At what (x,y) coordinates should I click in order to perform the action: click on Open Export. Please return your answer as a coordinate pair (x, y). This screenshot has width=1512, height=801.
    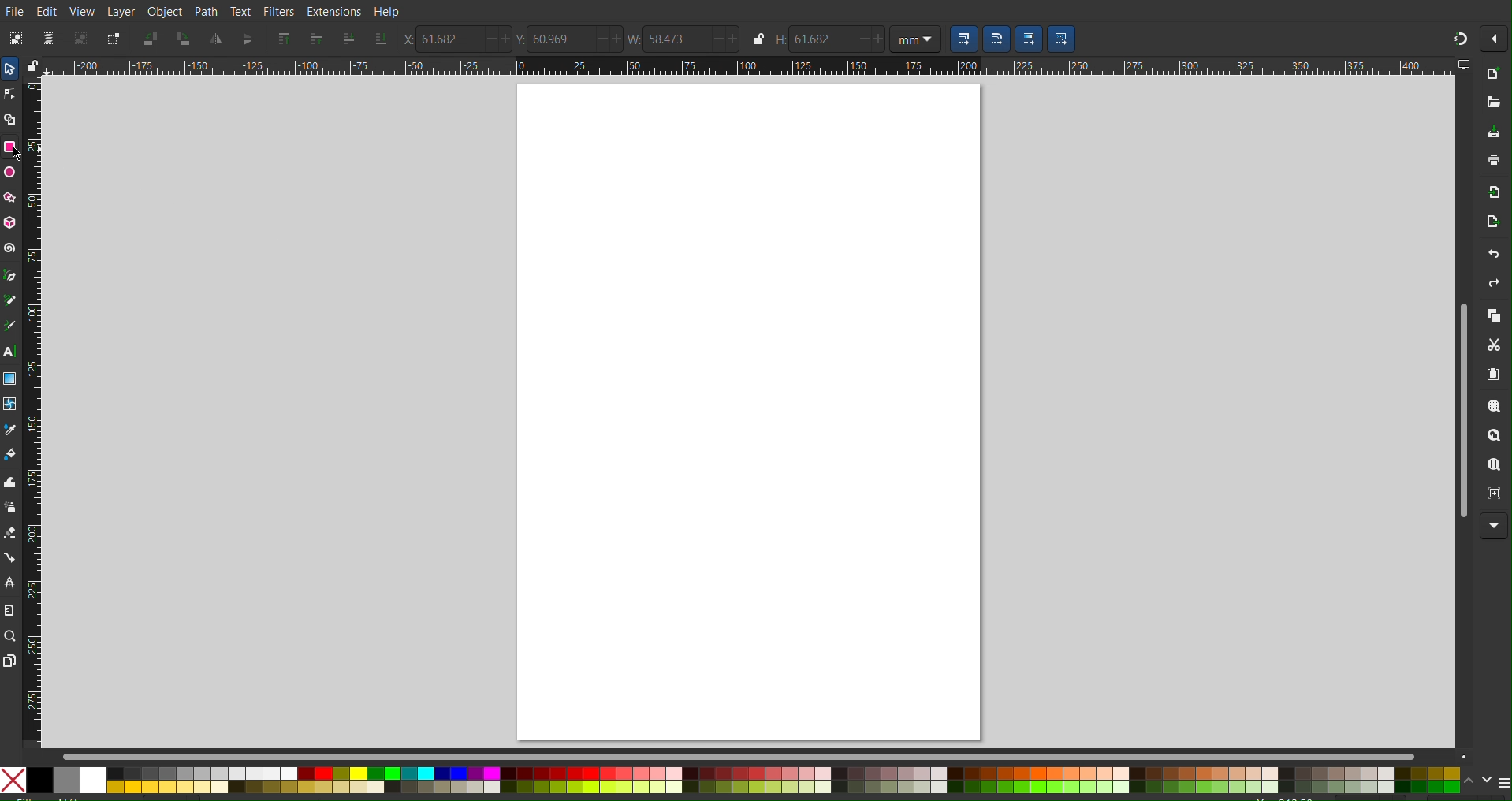
    Looking at the image, I should click on (1485, 225).